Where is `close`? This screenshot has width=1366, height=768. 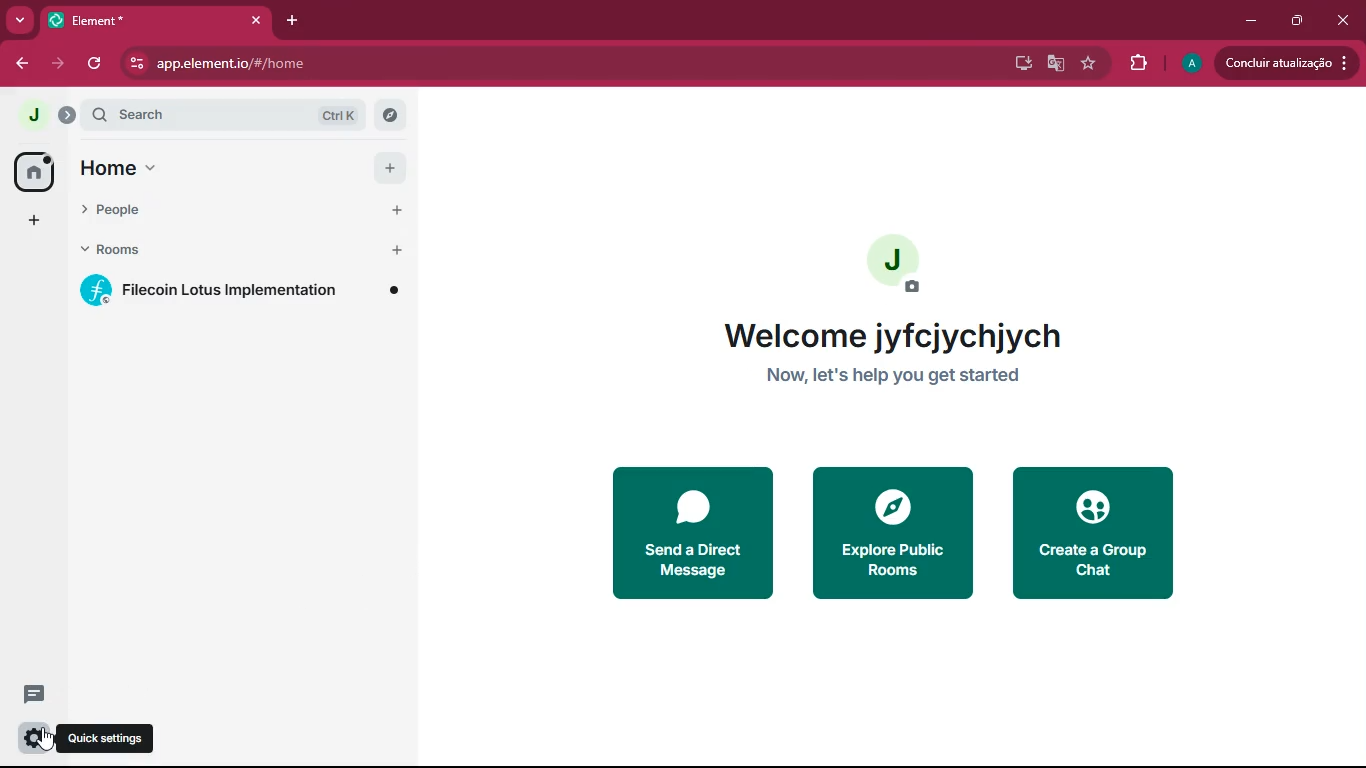
close is located at coordinates (254, 20).